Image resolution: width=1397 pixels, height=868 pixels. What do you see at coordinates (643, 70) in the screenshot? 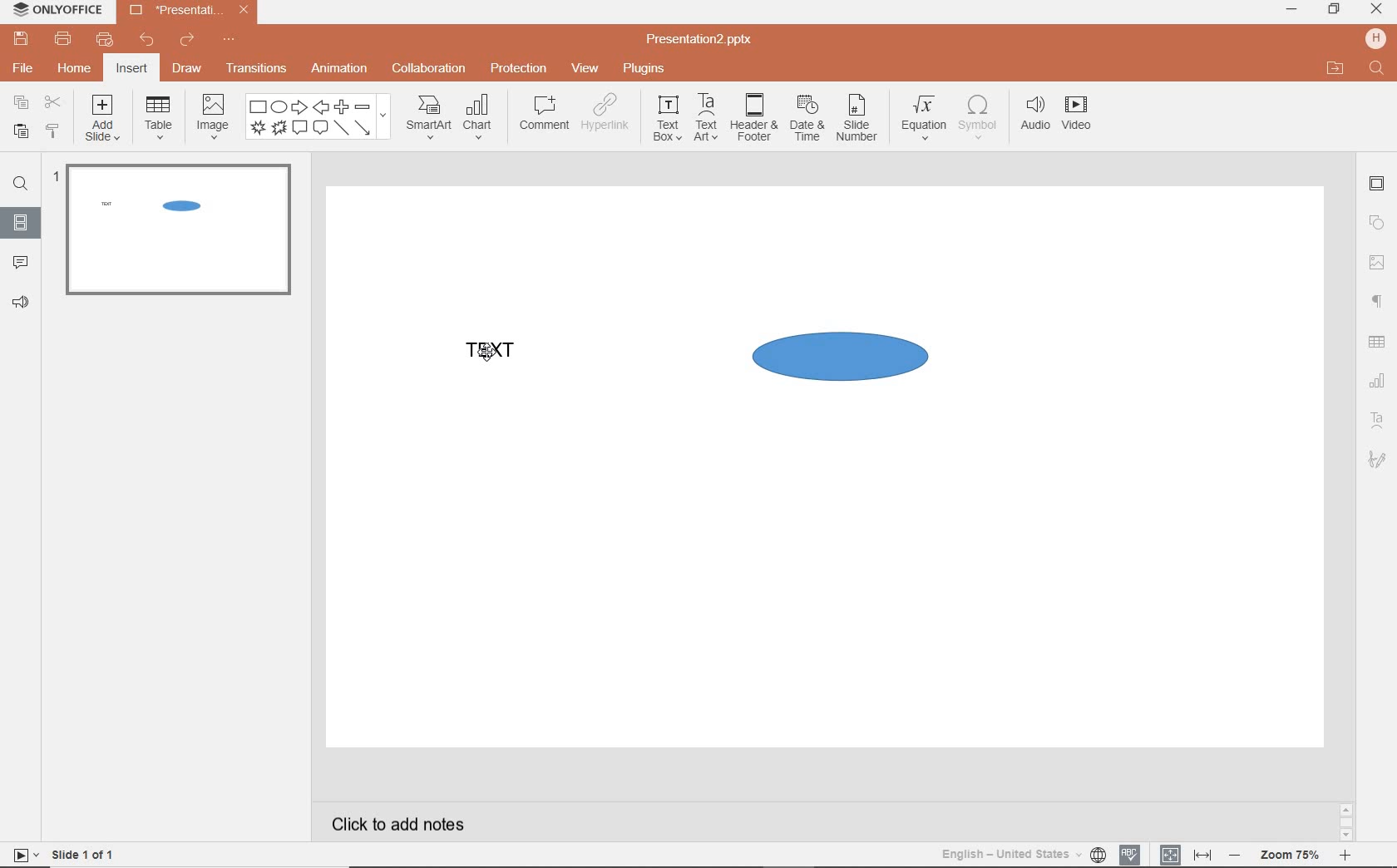
I see `plugins` at bounding box center [643, 70].